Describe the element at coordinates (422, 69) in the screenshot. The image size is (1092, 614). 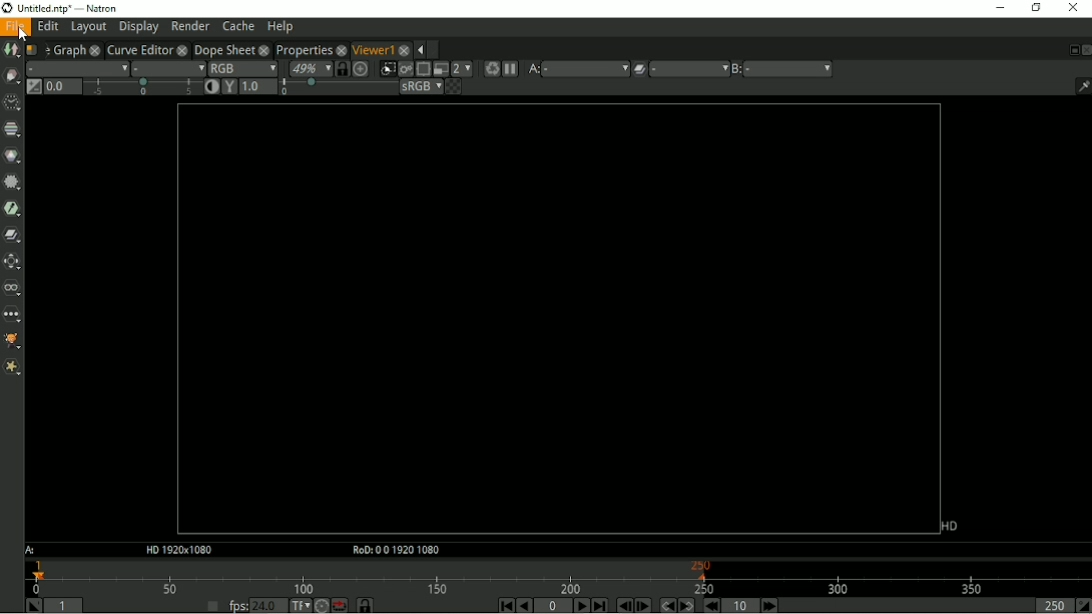
I see `Enables the region of interest that enables the portion of the viewer that is kept updated` at that location.